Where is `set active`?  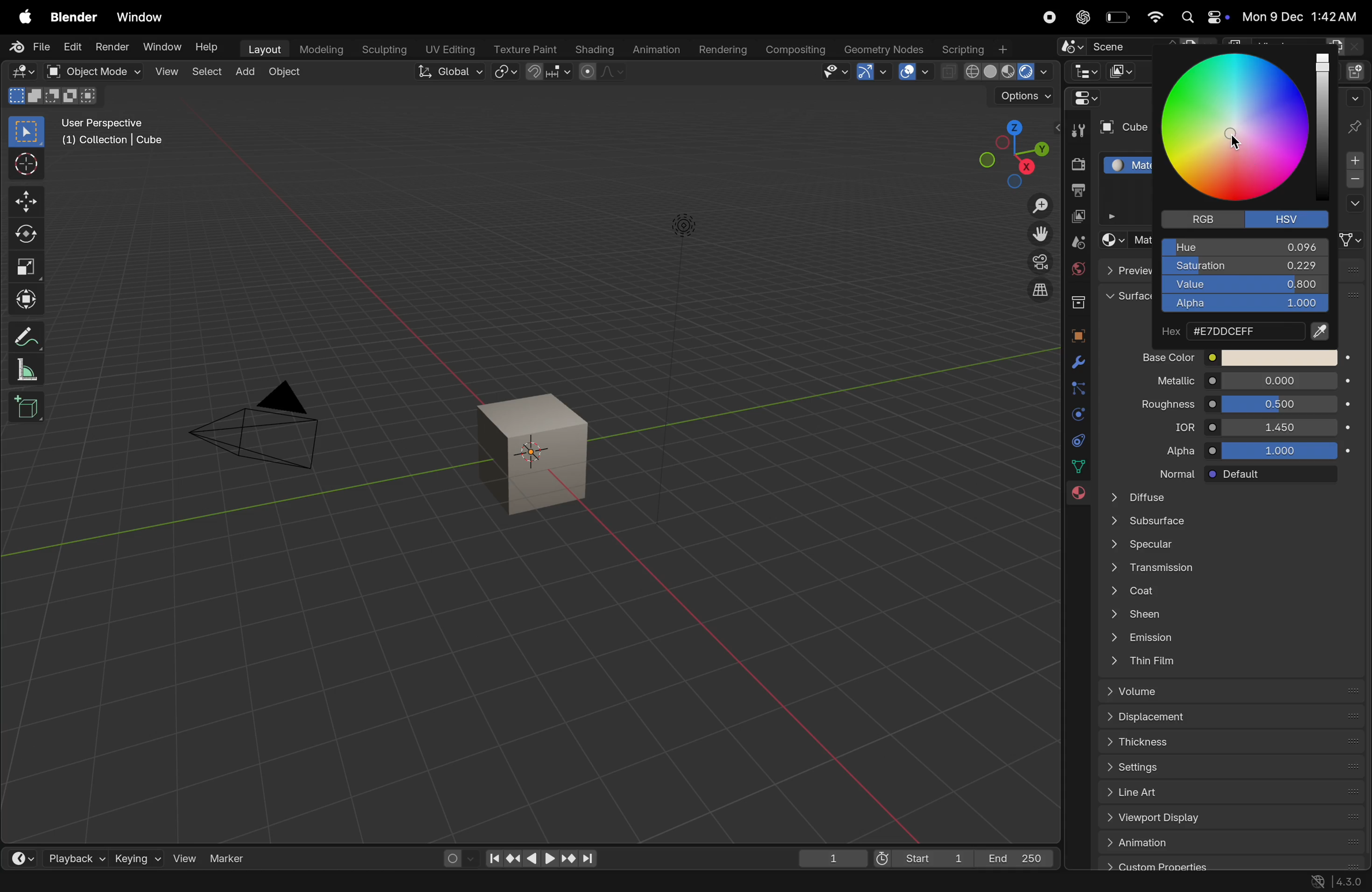 set active is located at coordinates (36, 880).